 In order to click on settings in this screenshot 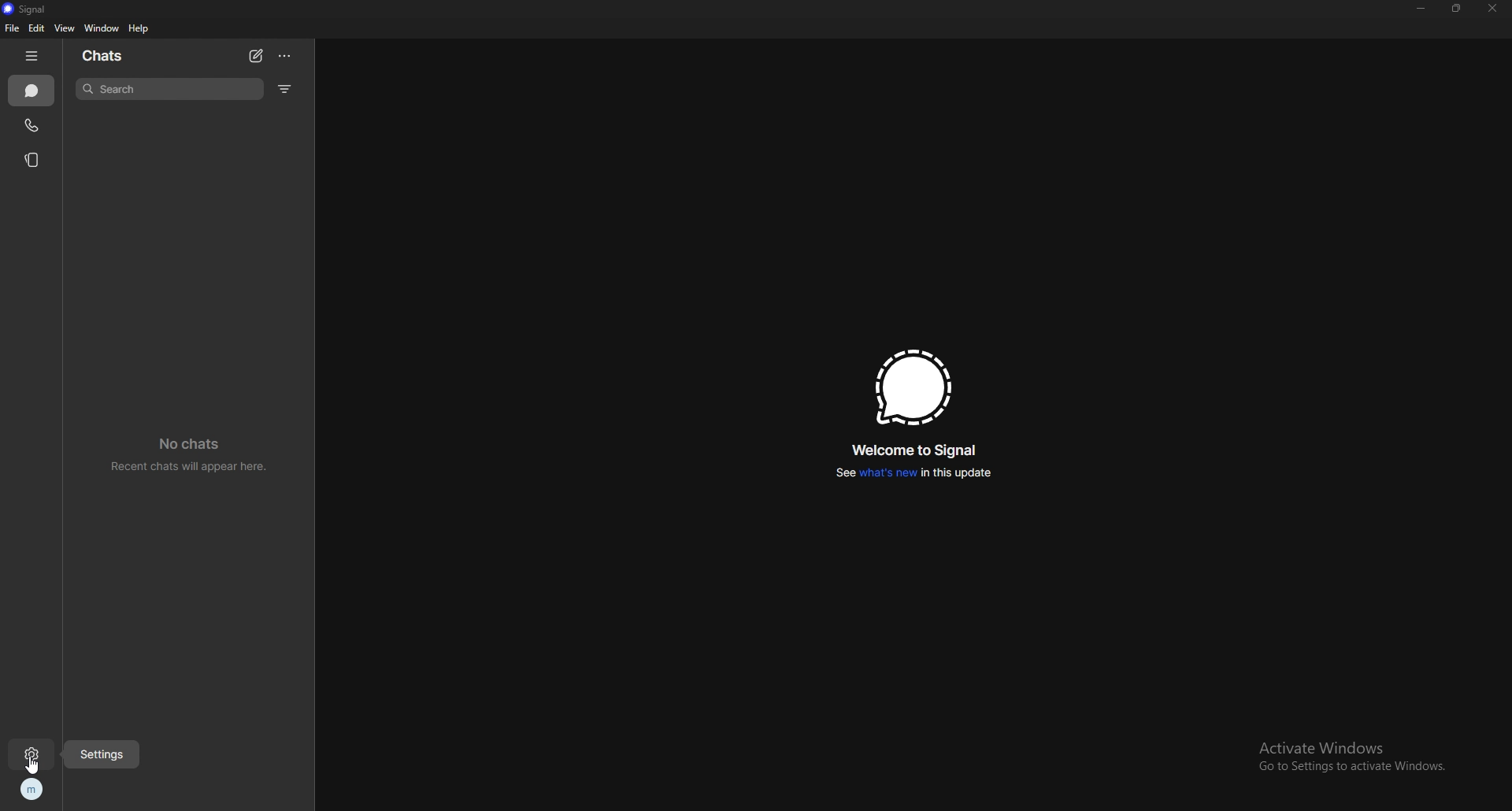, I will do `click(101, 754)`.